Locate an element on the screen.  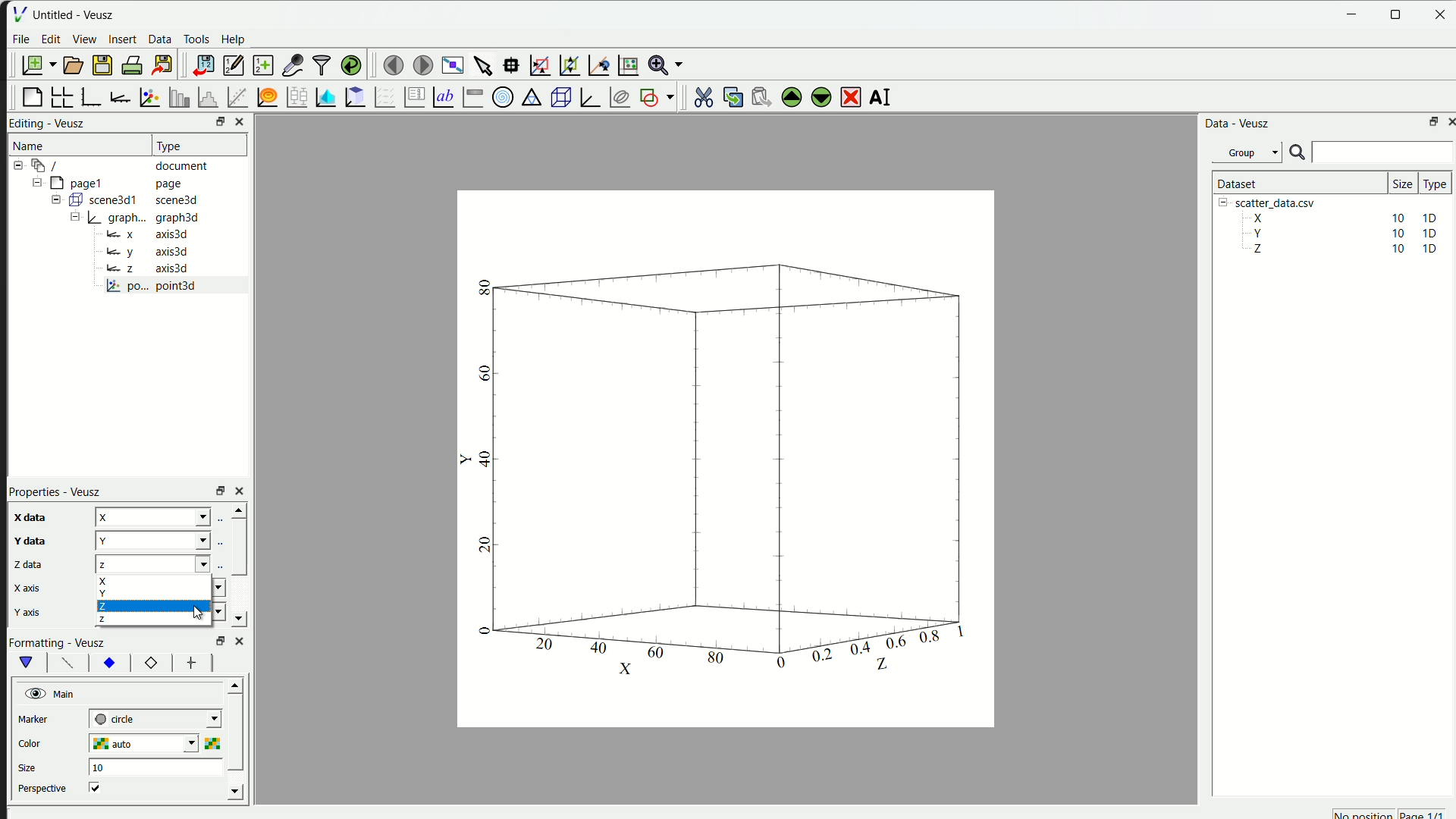
clipboard is located at coordinates (353, 97).